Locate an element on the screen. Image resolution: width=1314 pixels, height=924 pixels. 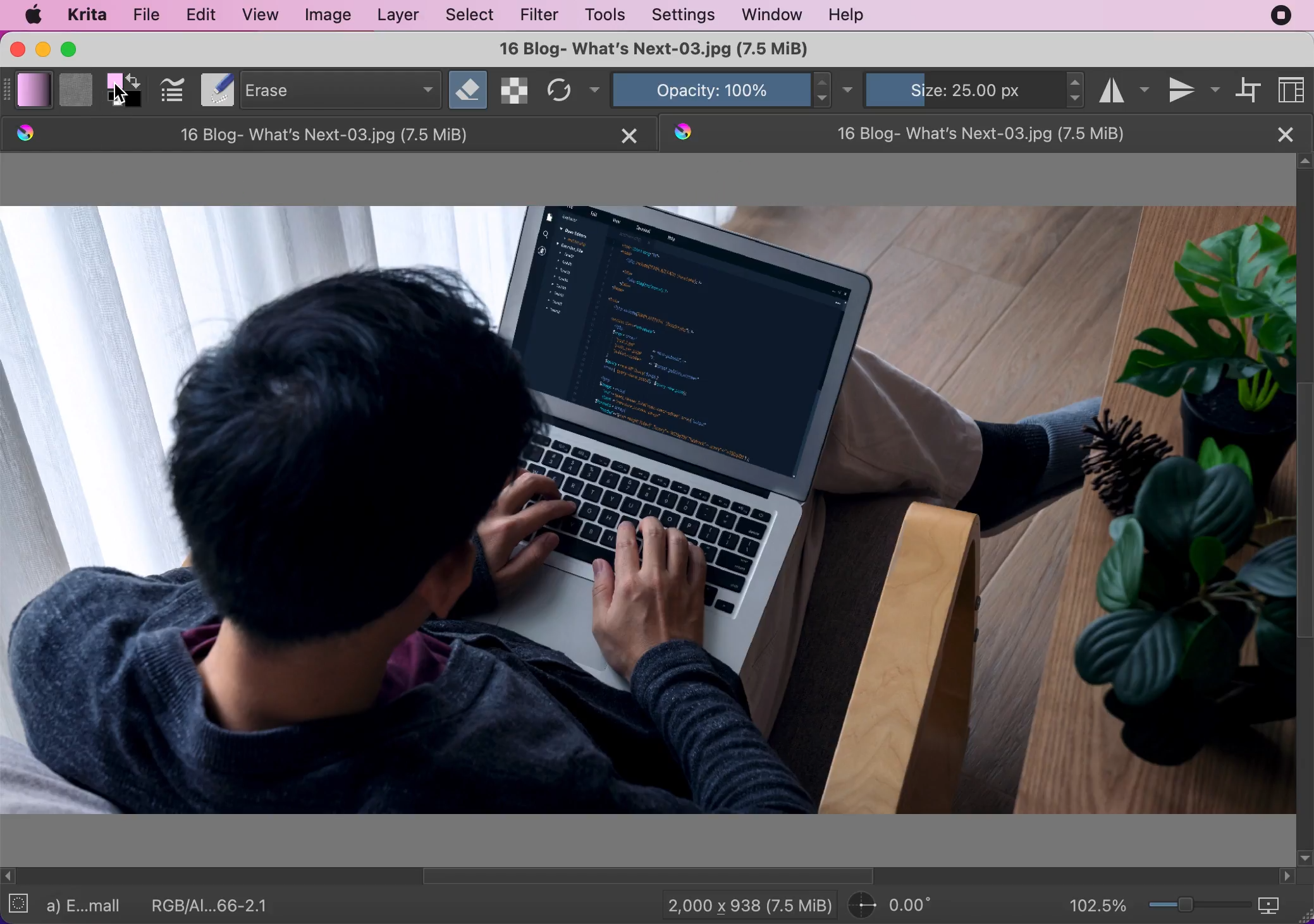
file is located at coordinates (147, 14).